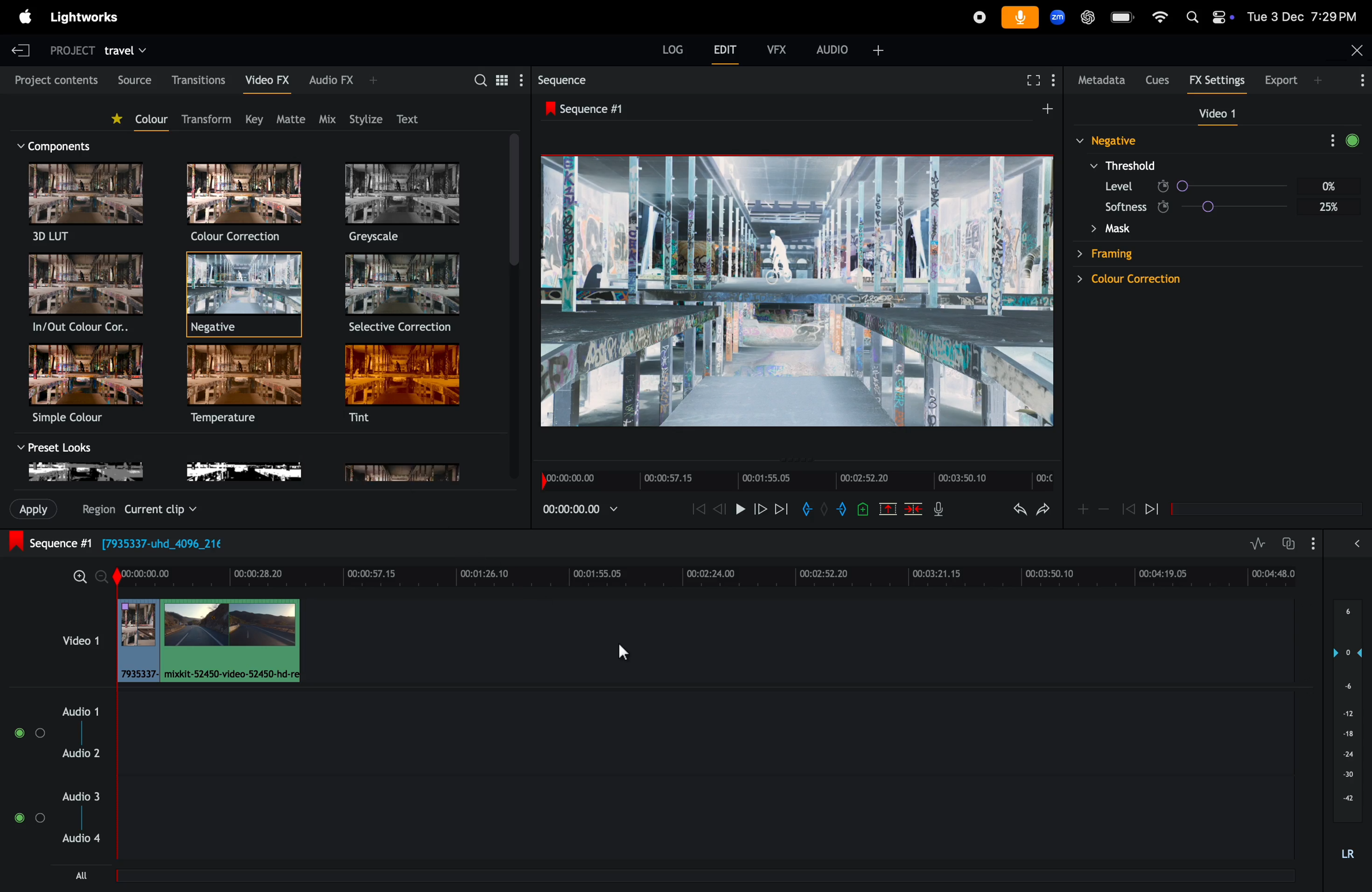 The width and height of the screenshot is (1372, 892). What do you see at coordinates (256, 116) in the screenshot?
I see `key` at bounding box center [256, 116].